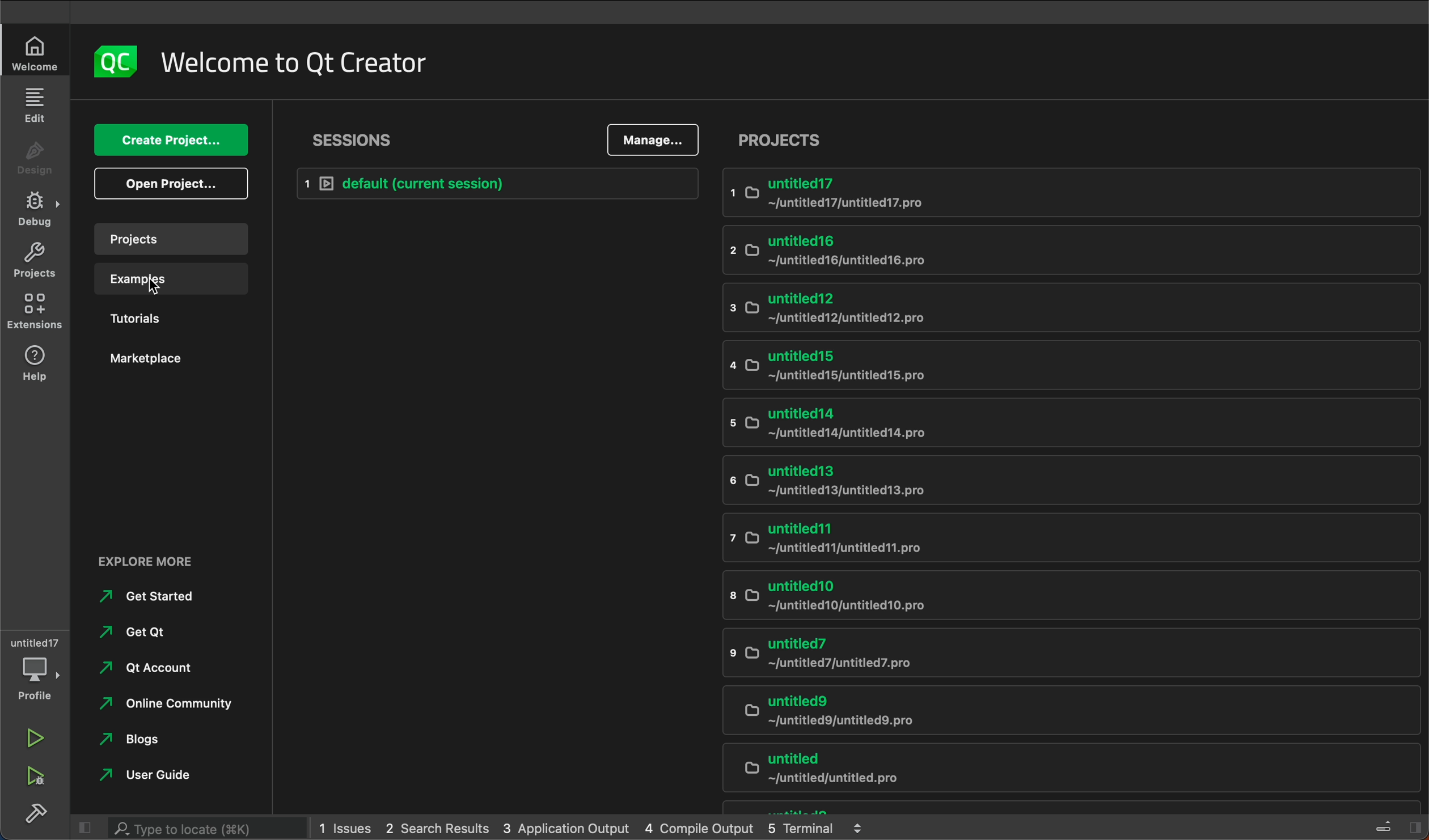 Image resolution: width=1429 pixels, height=840 pixels. What do you see at coordinates (33, 315) in the screenshot?
I see `extensions` at bounding box center [33, 315].